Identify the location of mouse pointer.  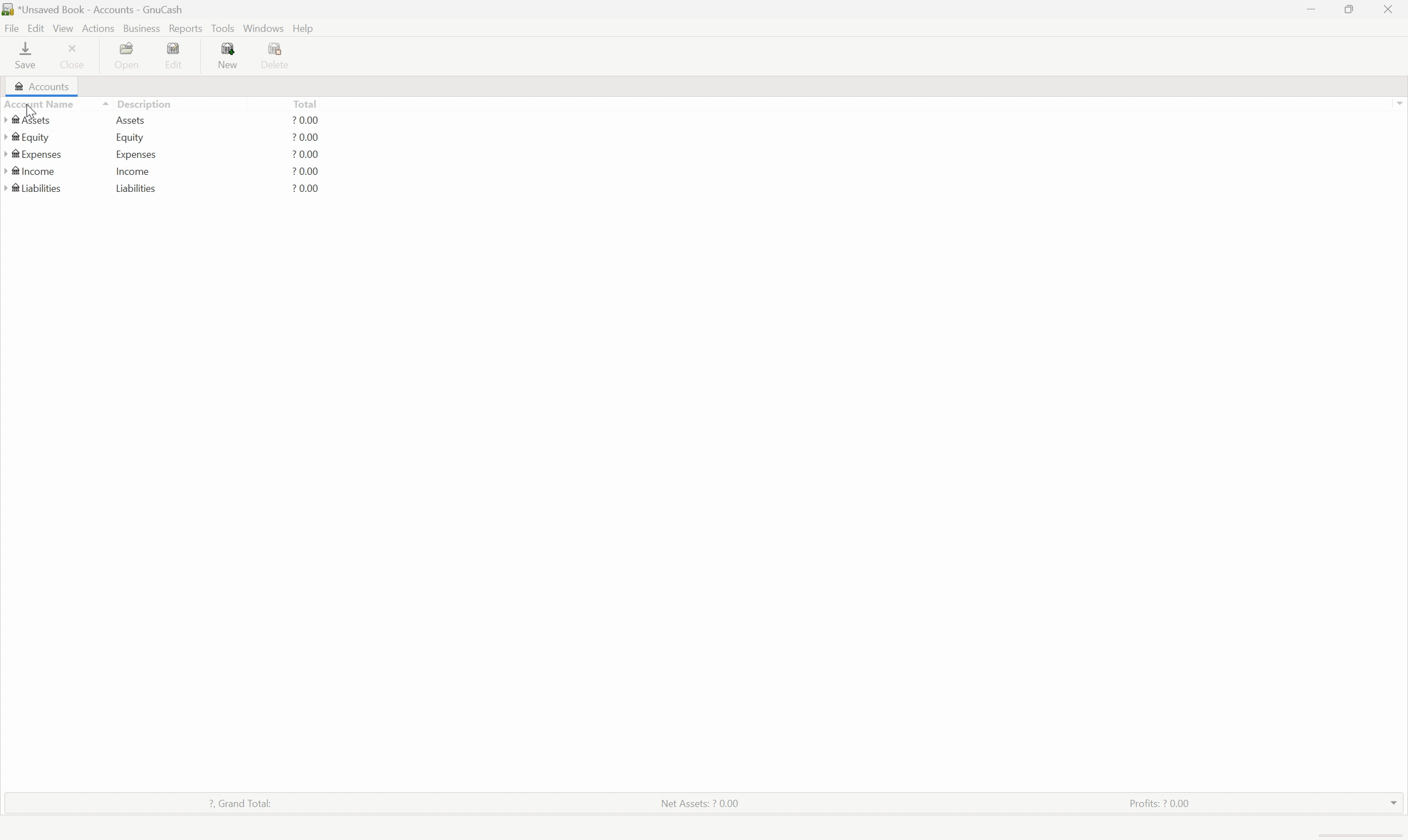
(39, 115).